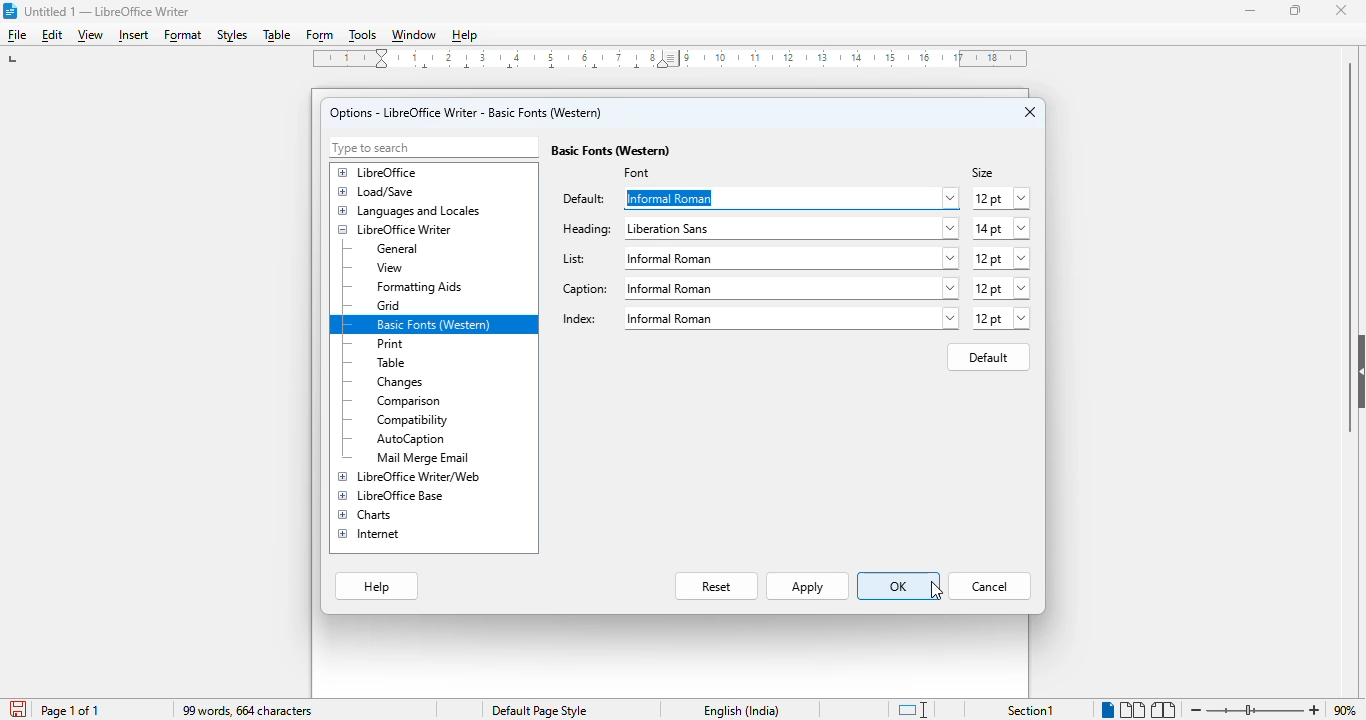 This screenshot has width=1366, height=720. What do you see at coordinates (743, 710) in the screenshot?
I see `text language` at bounding box center [743, 710].